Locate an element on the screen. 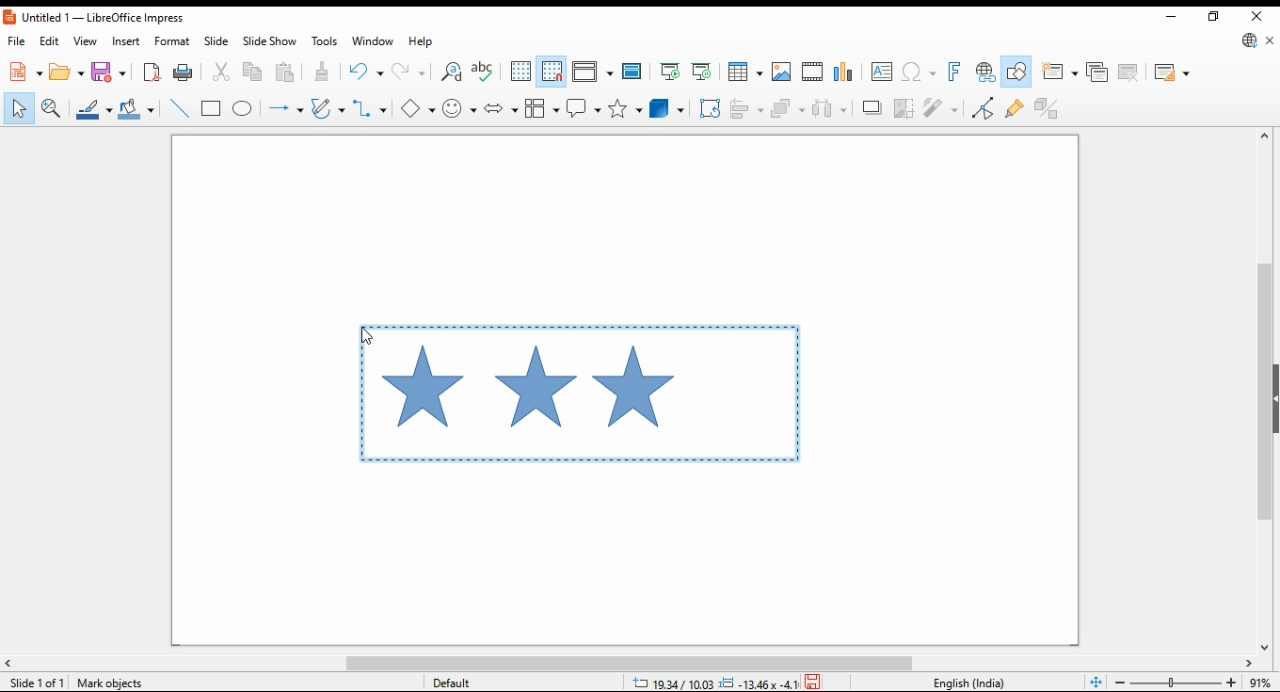 The height and width of the screenshot is (692, 1280). print is located at coordinates (182, 72).